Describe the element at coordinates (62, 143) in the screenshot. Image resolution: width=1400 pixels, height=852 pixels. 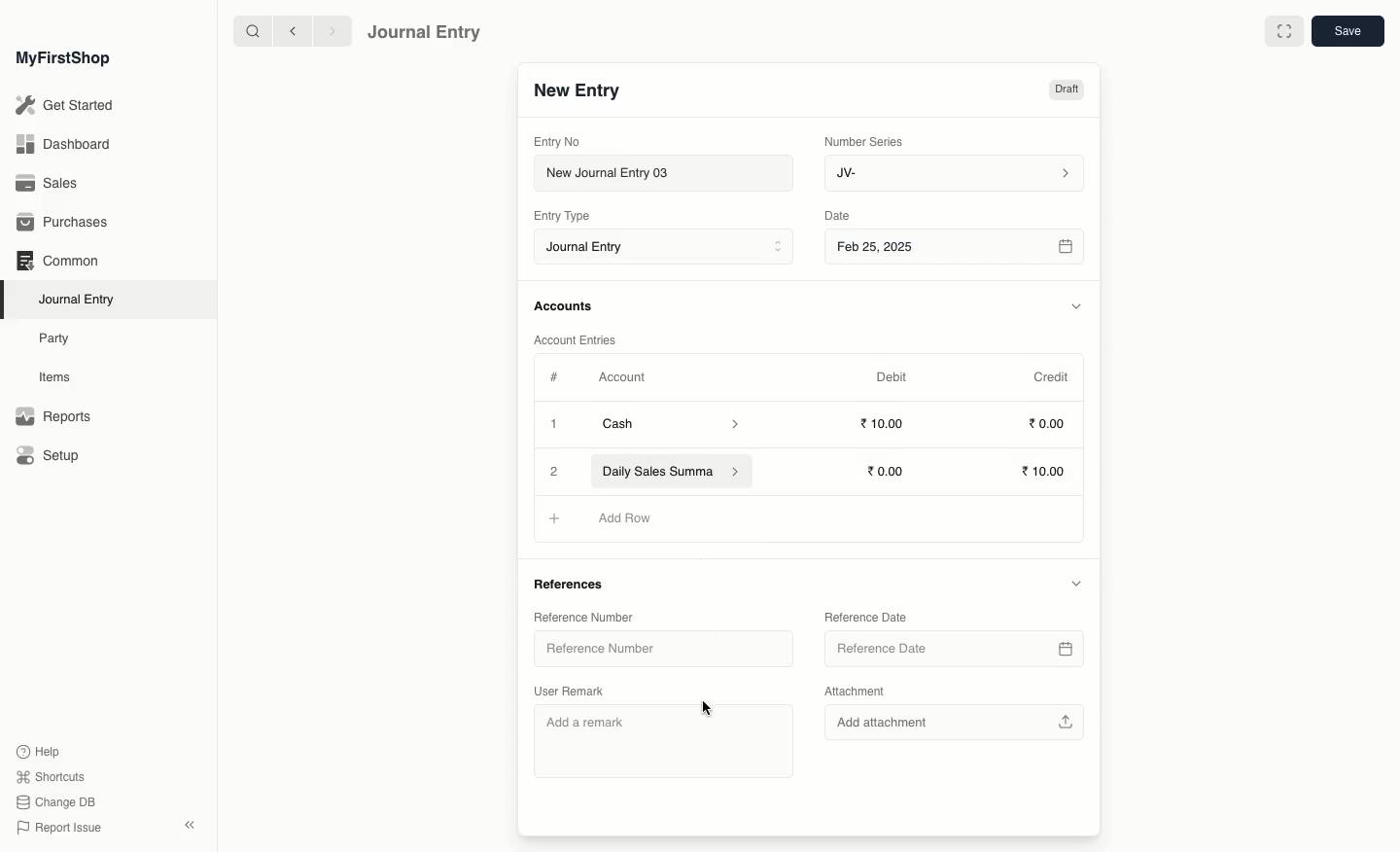
I see `Dashboard` at that location.